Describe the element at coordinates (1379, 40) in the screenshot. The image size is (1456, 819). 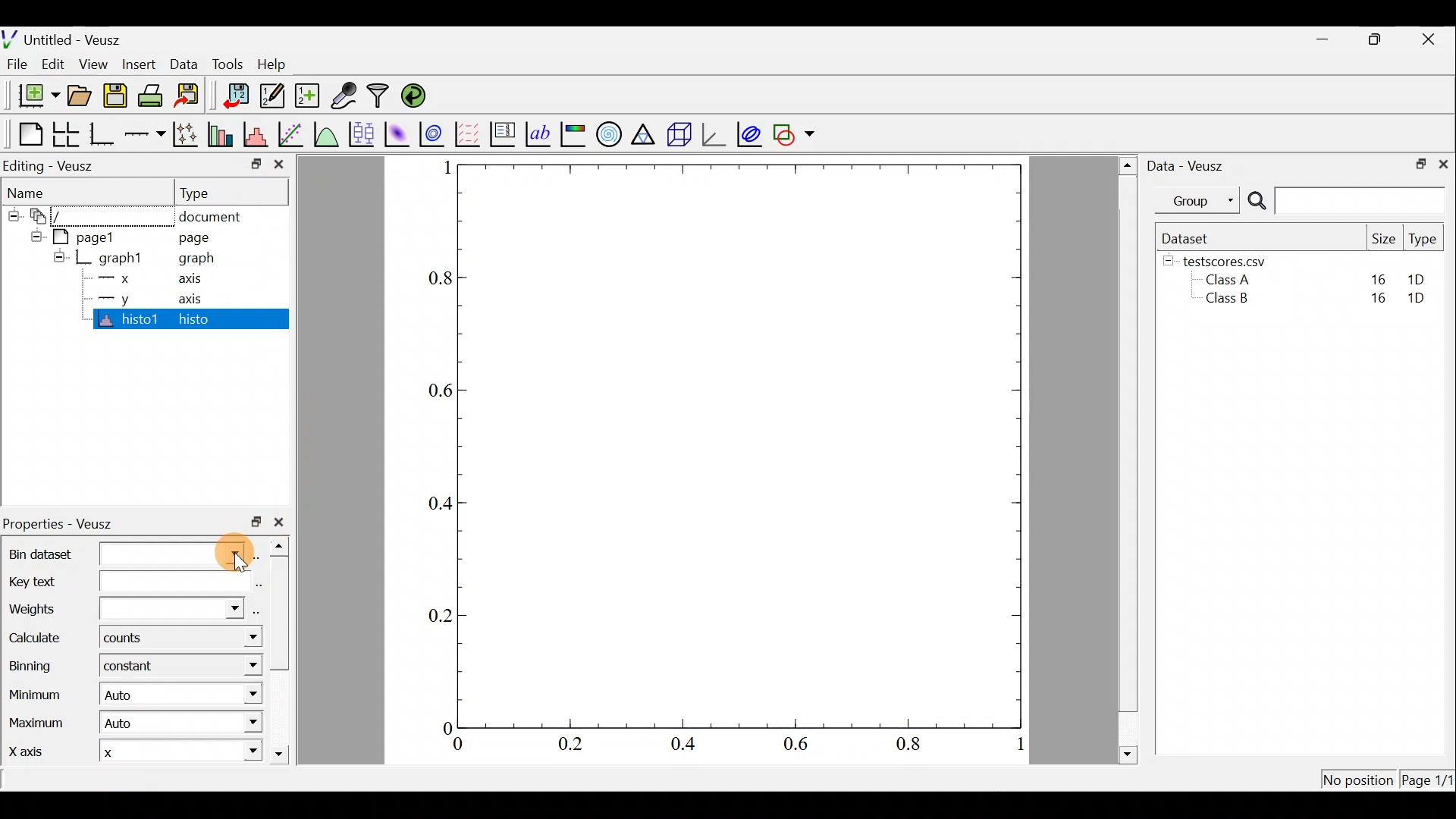
I see `Restore down` at that location.